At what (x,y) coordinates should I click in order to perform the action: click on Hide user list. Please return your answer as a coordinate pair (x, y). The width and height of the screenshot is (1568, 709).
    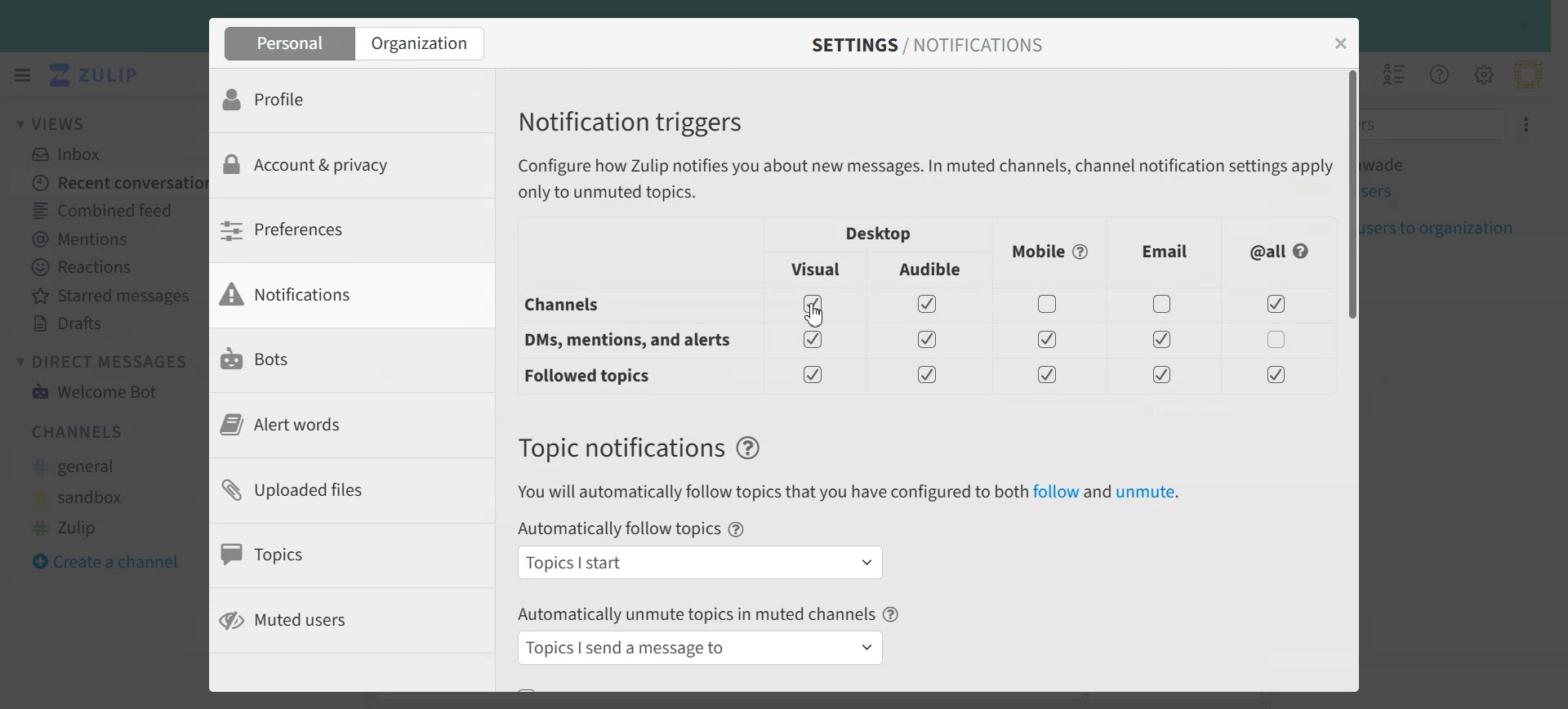
    Looking at the image, I should click on (1395, 74).